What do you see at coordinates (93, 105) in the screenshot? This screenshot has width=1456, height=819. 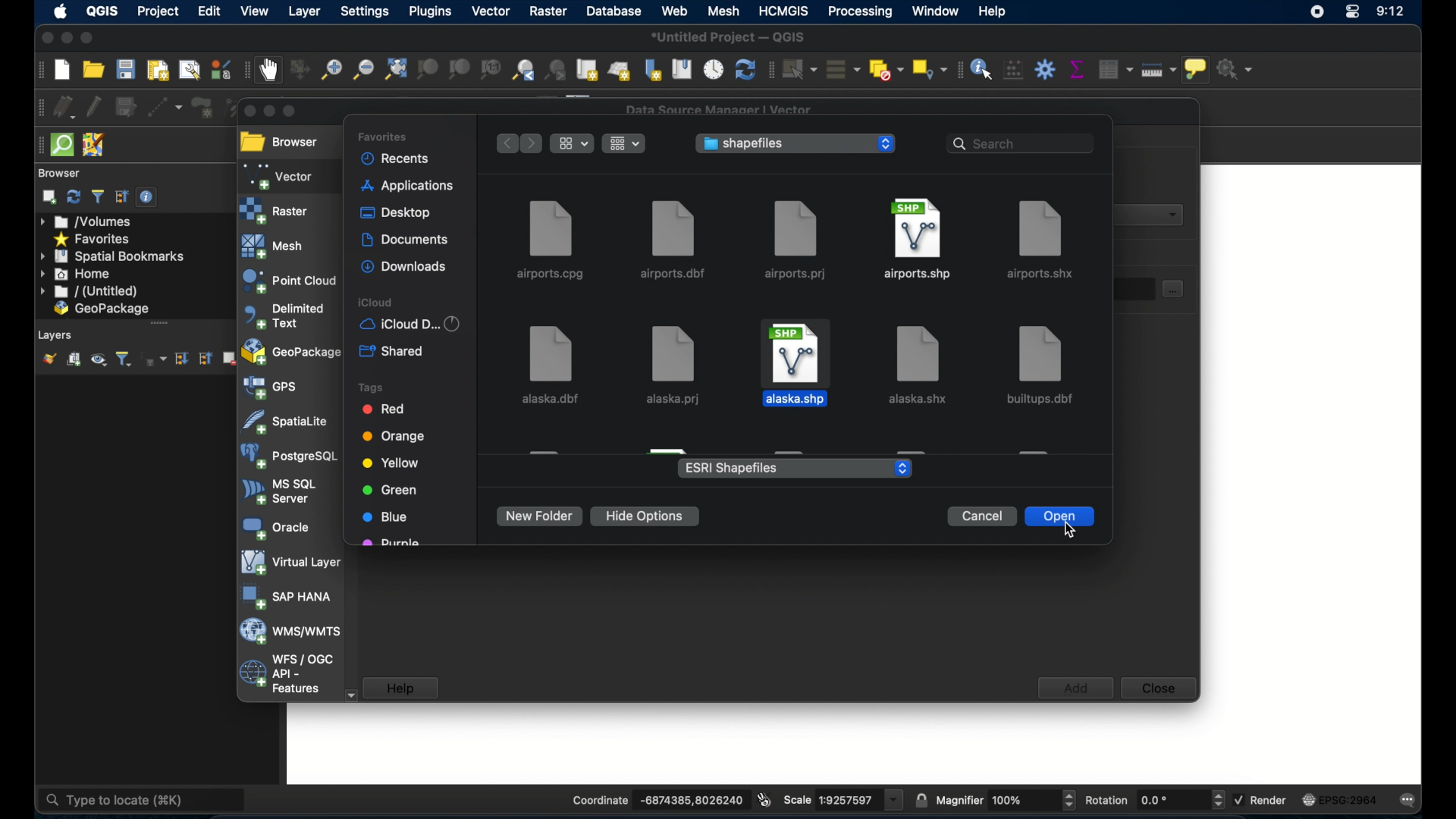 I see `toggle editing` at bounding box center [93, 105].